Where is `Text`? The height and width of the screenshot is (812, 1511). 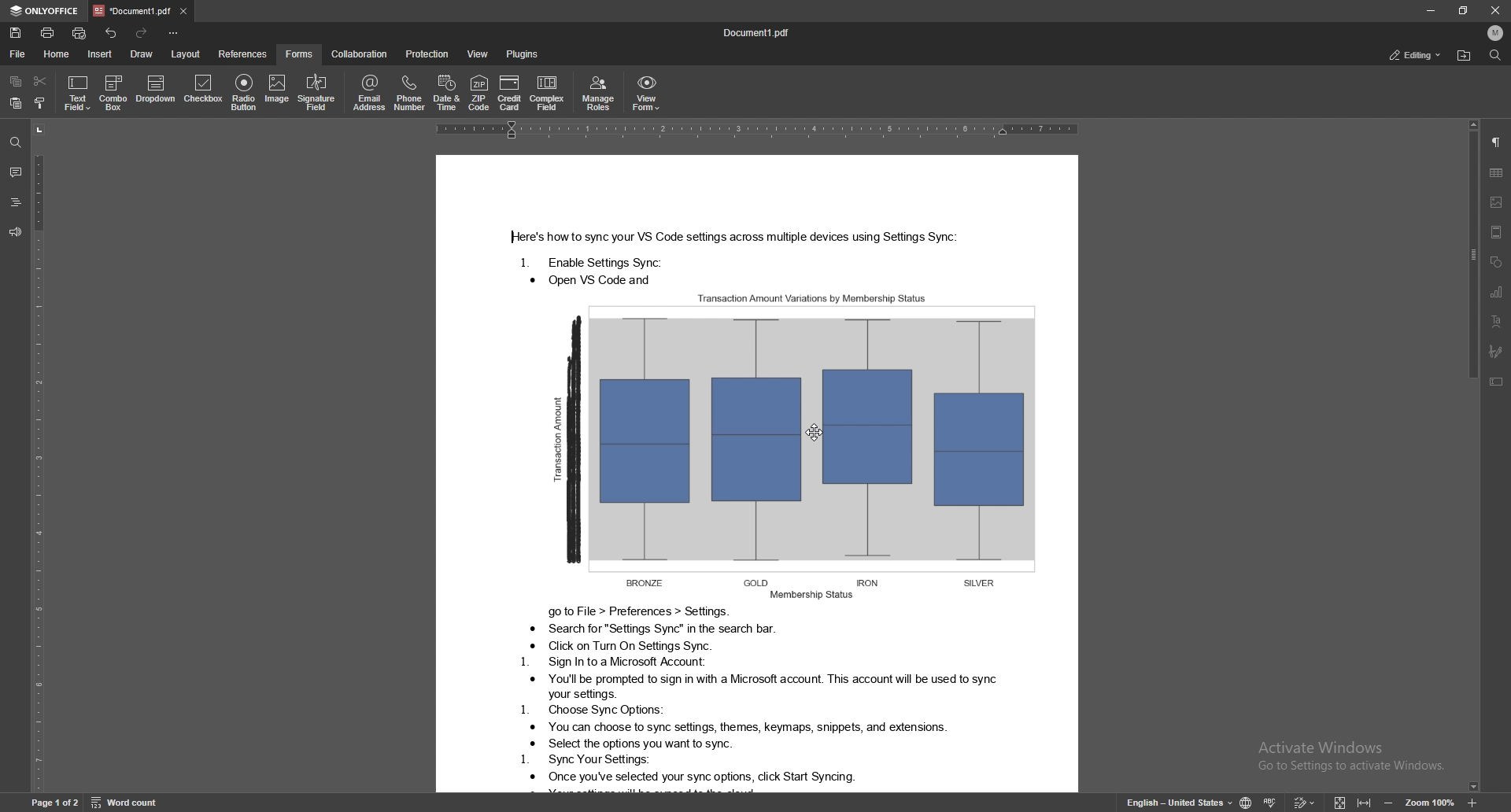
Text is located at coordinates (757, 222).